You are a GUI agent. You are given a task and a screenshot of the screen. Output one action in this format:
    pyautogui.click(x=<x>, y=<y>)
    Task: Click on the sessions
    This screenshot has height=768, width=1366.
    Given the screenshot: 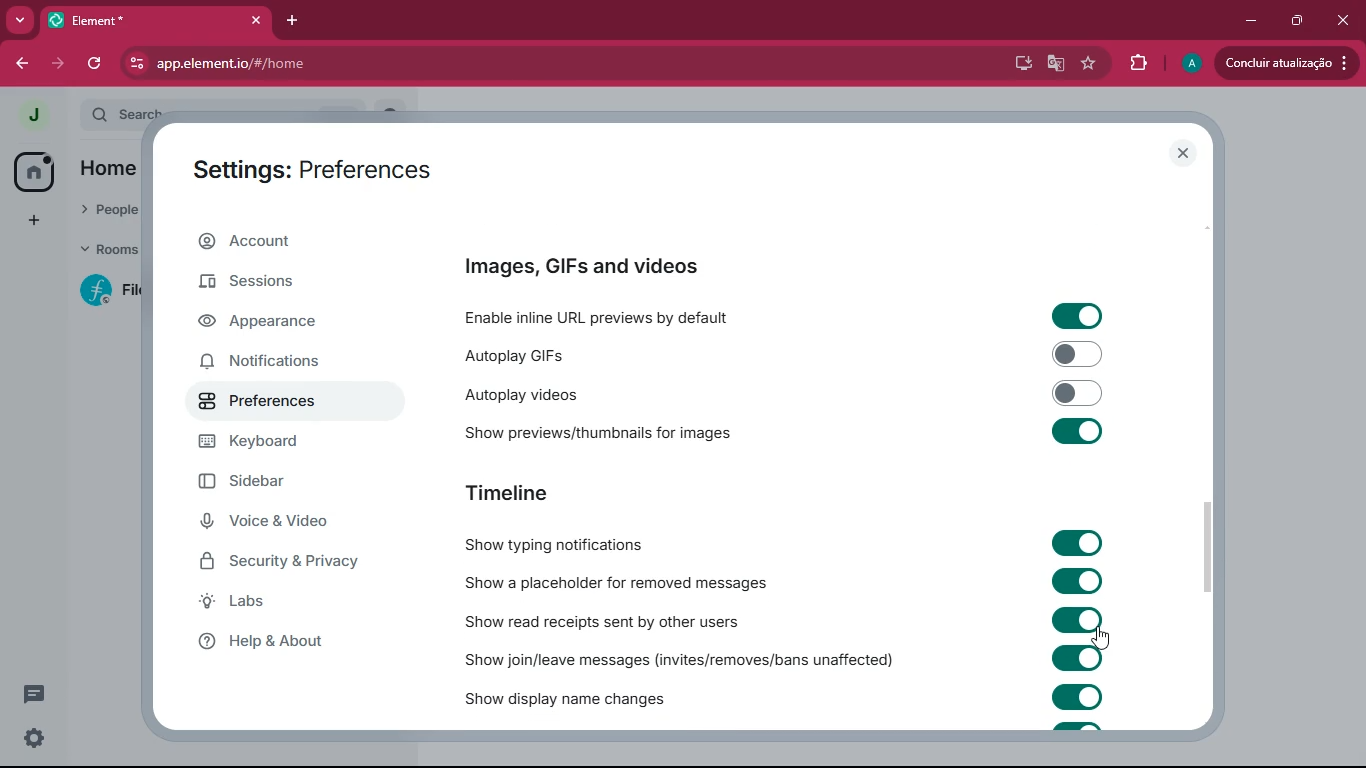 What is the action you would take?
    pyautogui.click(x=287, y=285)
    